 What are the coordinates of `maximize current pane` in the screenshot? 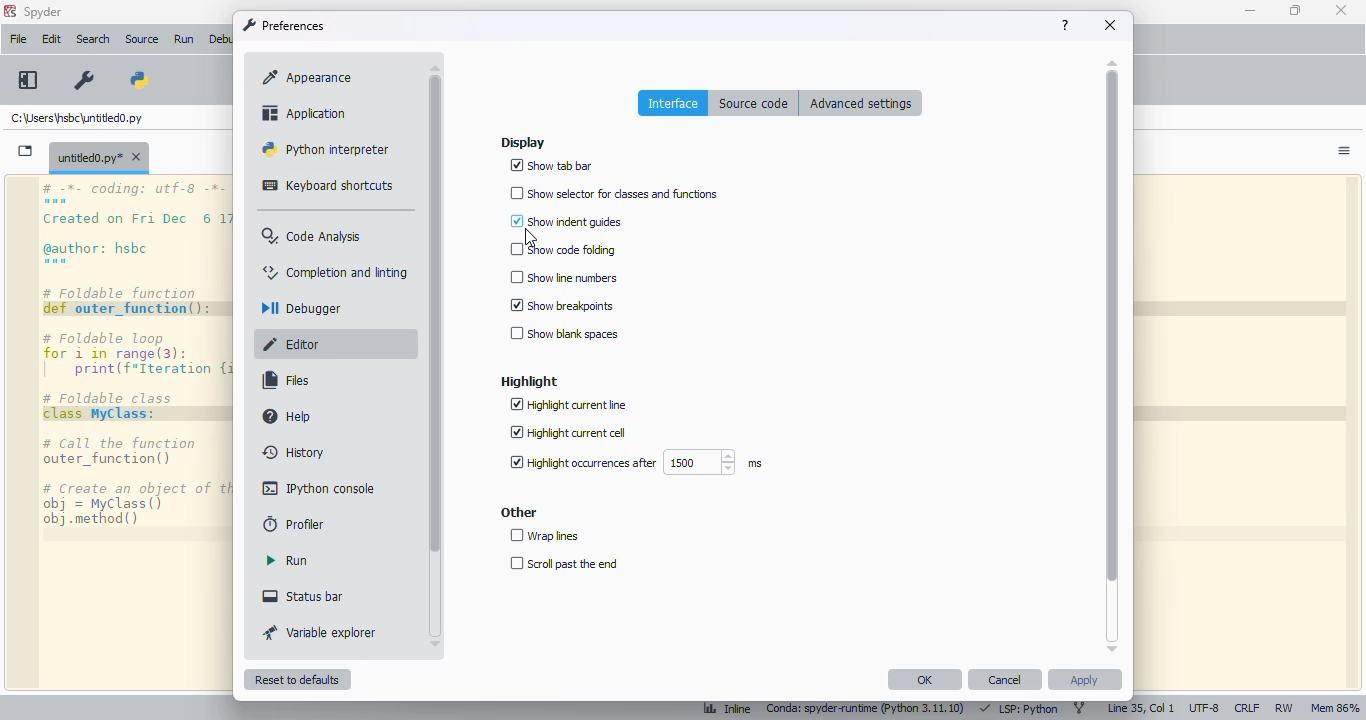 It's located at (27, 79).